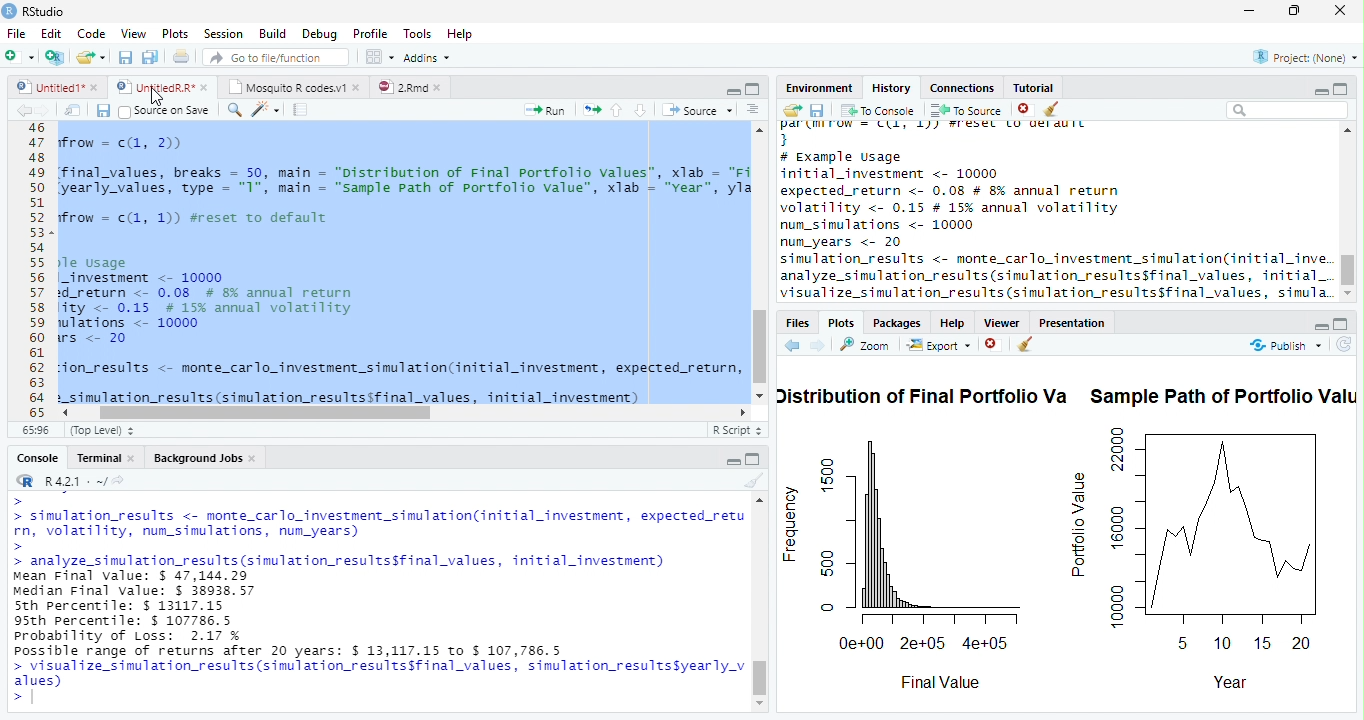 The height and width of the screenshot is (720, 1364). Describe the element at coordinates (1232, 683) in the screenshot. I see `Year` at that location.